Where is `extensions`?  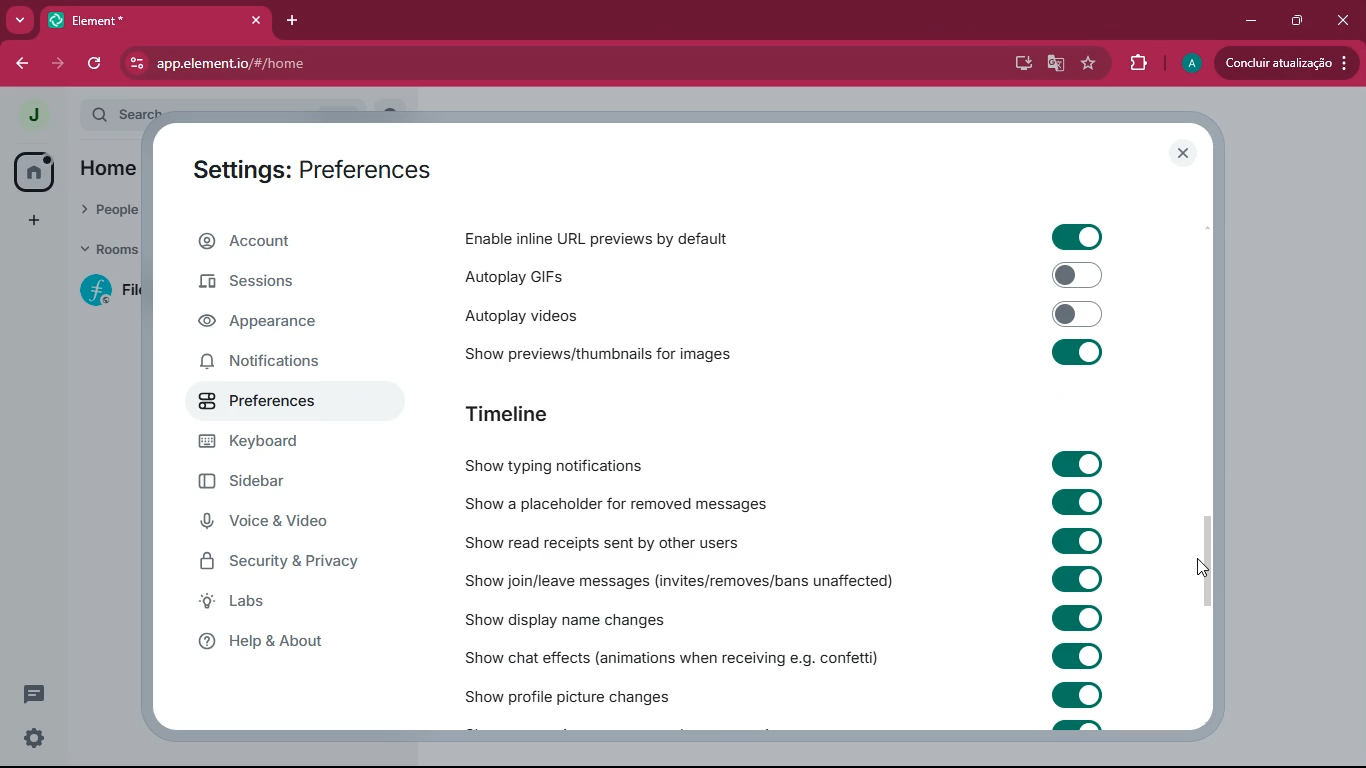
extensions is located at coordinates (1135, 64).